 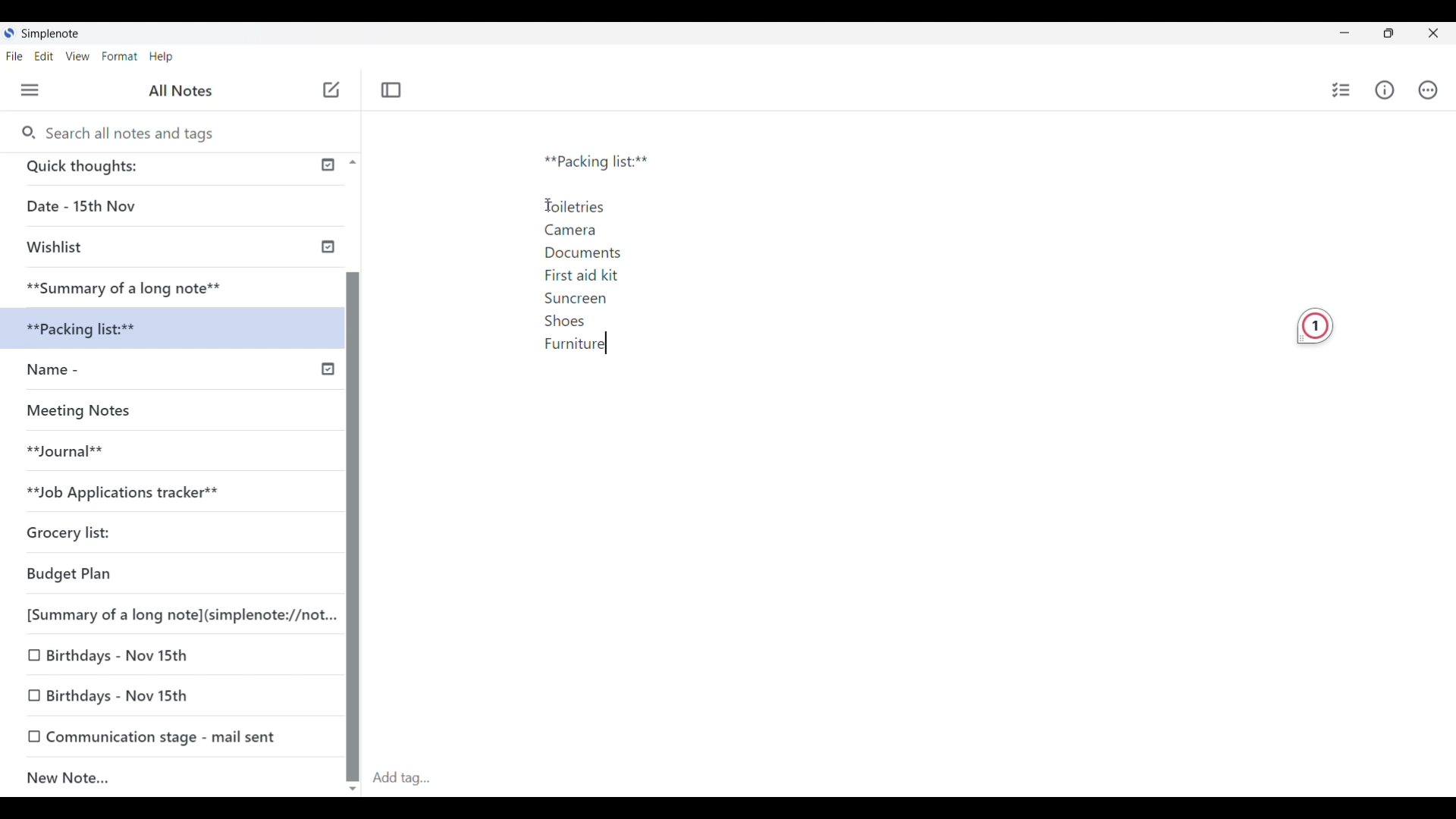 I want to click on Vertical slide bar for left panel, so click(x=353, y=513).